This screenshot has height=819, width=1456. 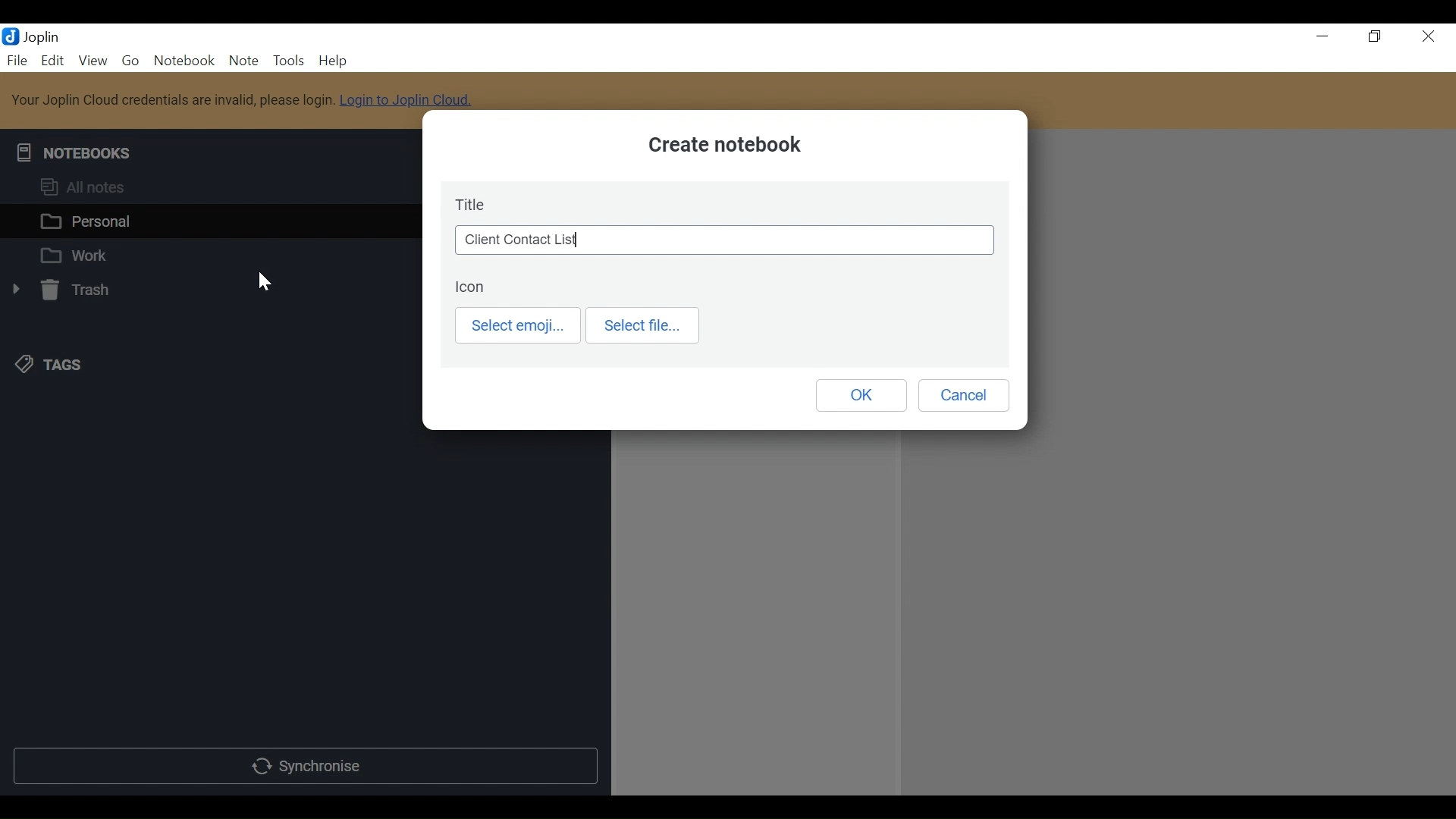 I want to click on Work, so click(x=210, y=255).